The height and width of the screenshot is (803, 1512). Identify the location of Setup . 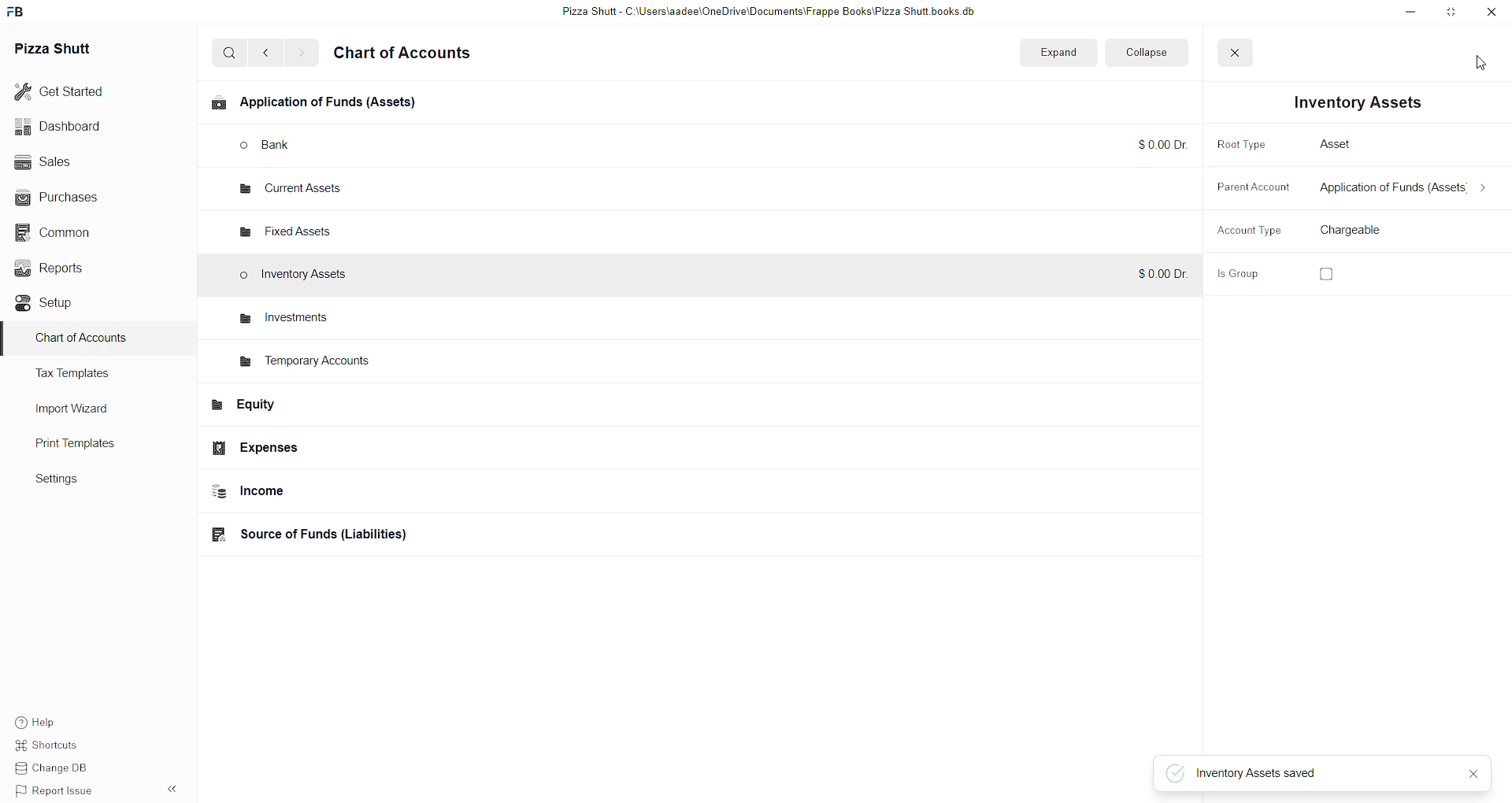
(63, 305).